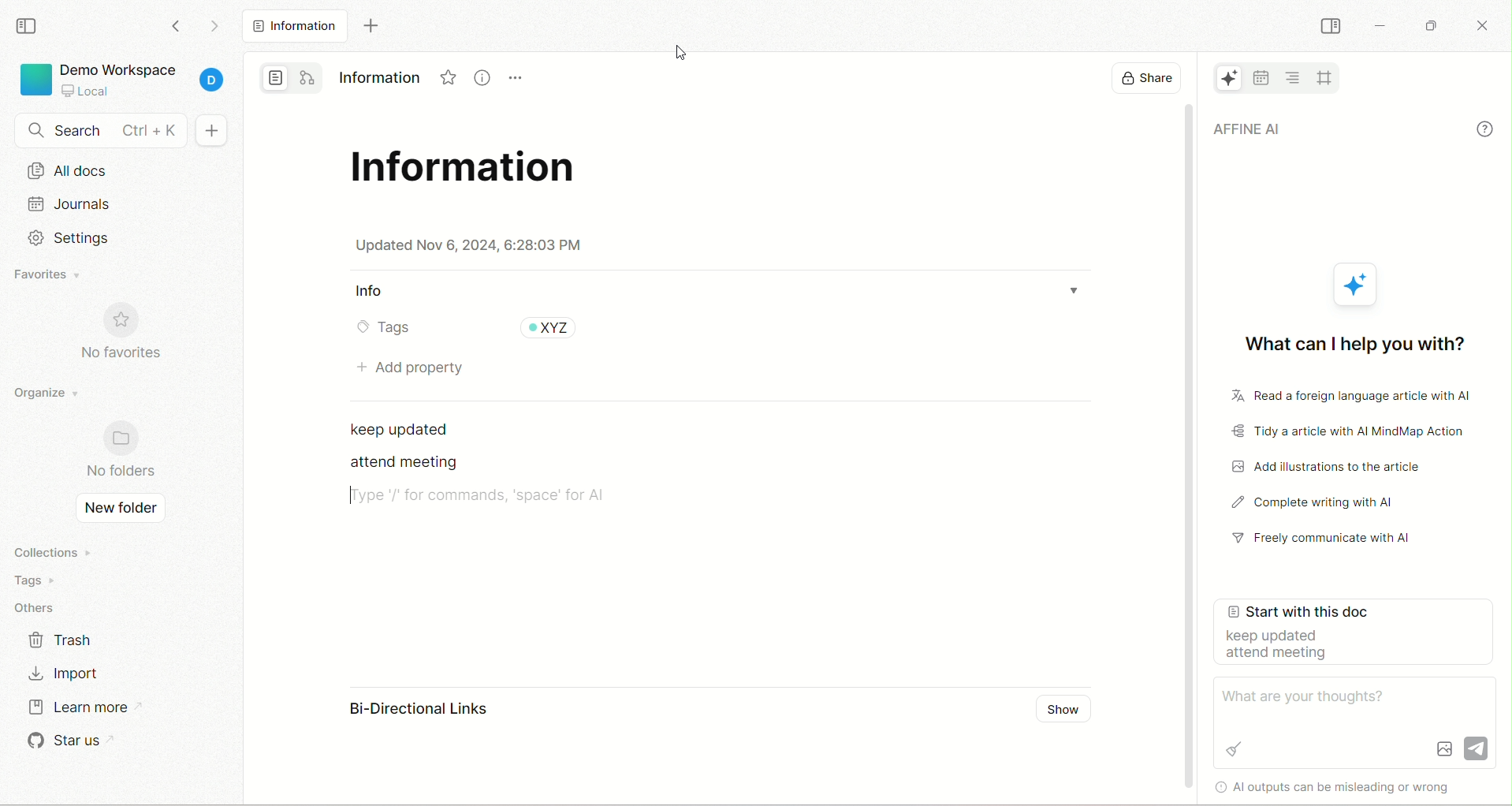  I want to click on all docs, so click(120, 174).